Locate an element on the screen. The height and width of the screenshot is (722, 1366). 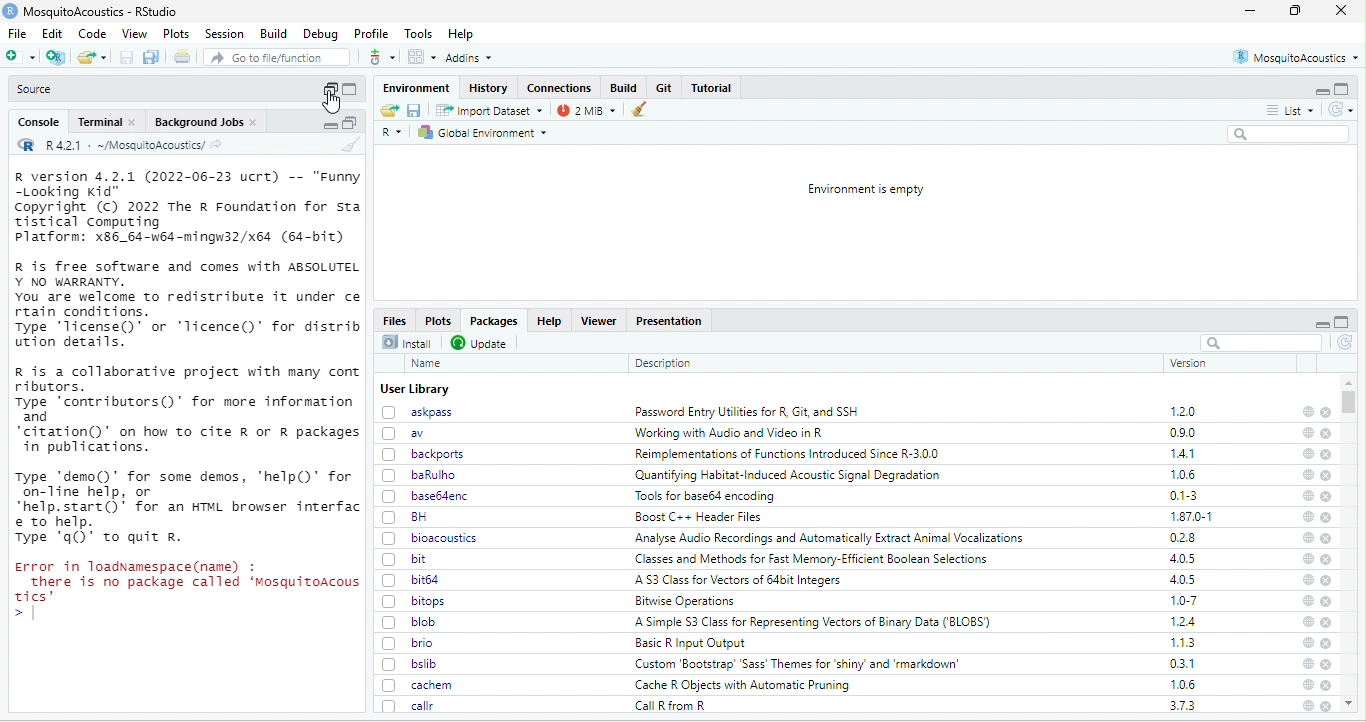
open an existing file is located at coordinates (93, 56).